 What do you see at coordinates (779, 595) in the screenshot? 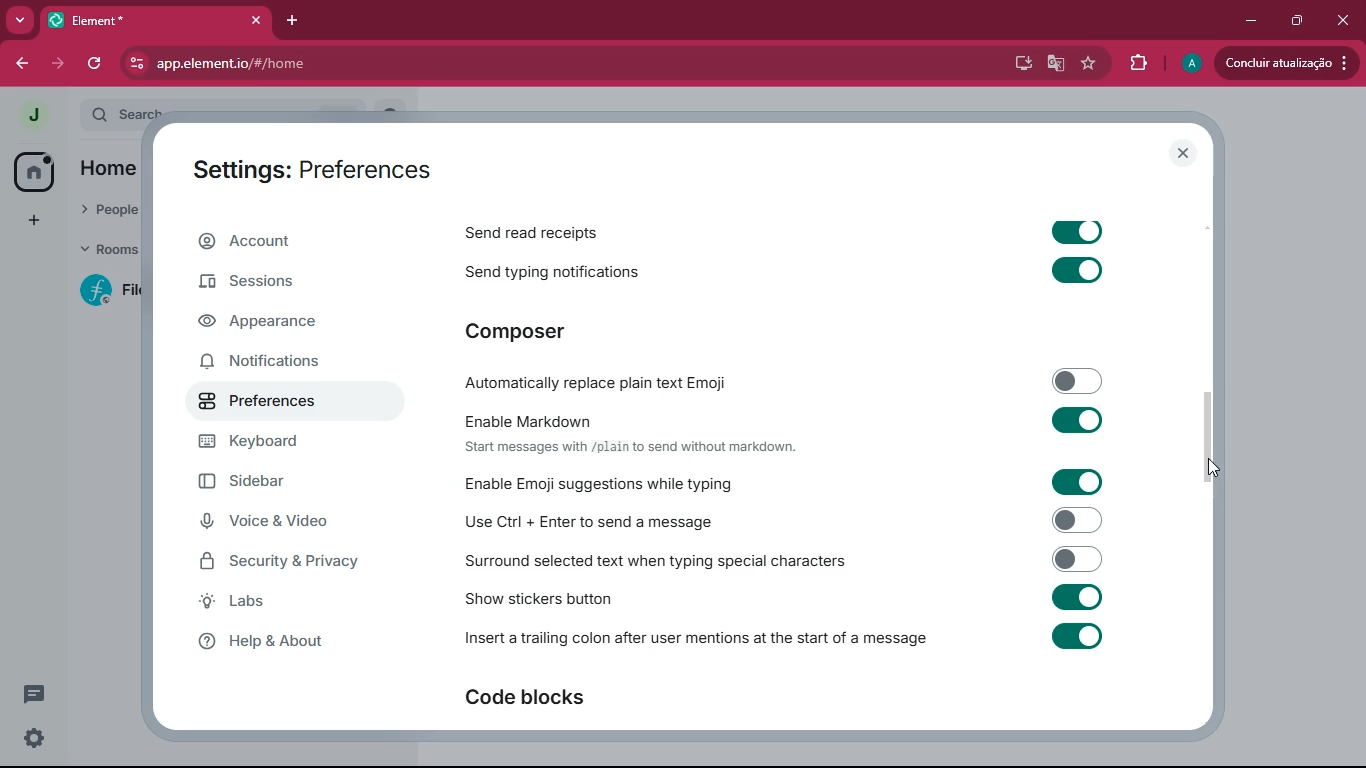
I see `show stickers button` at bounding box center [779, 595].